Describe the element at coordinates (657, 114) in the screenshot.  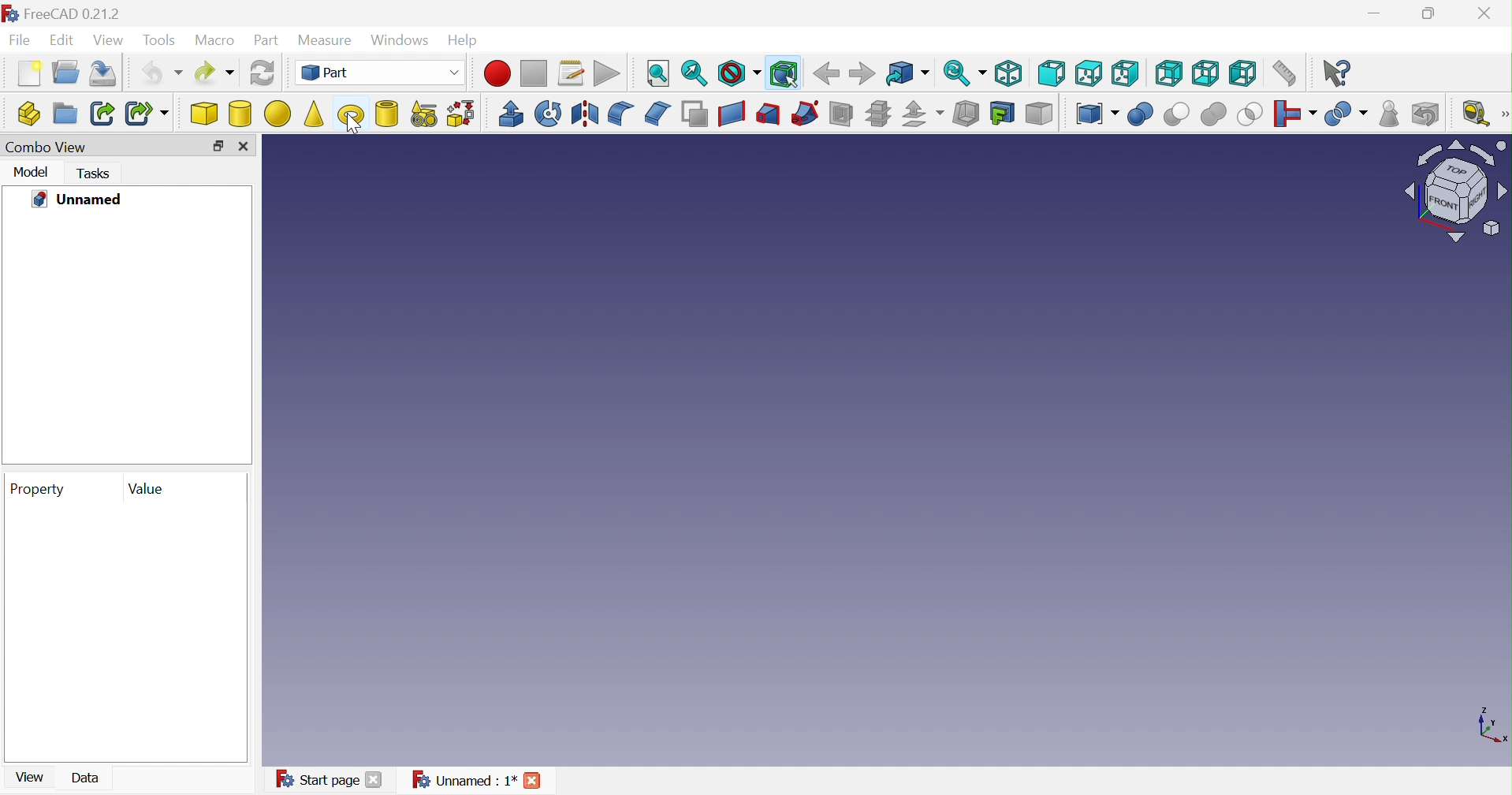
I see `Chamfer` at that location.